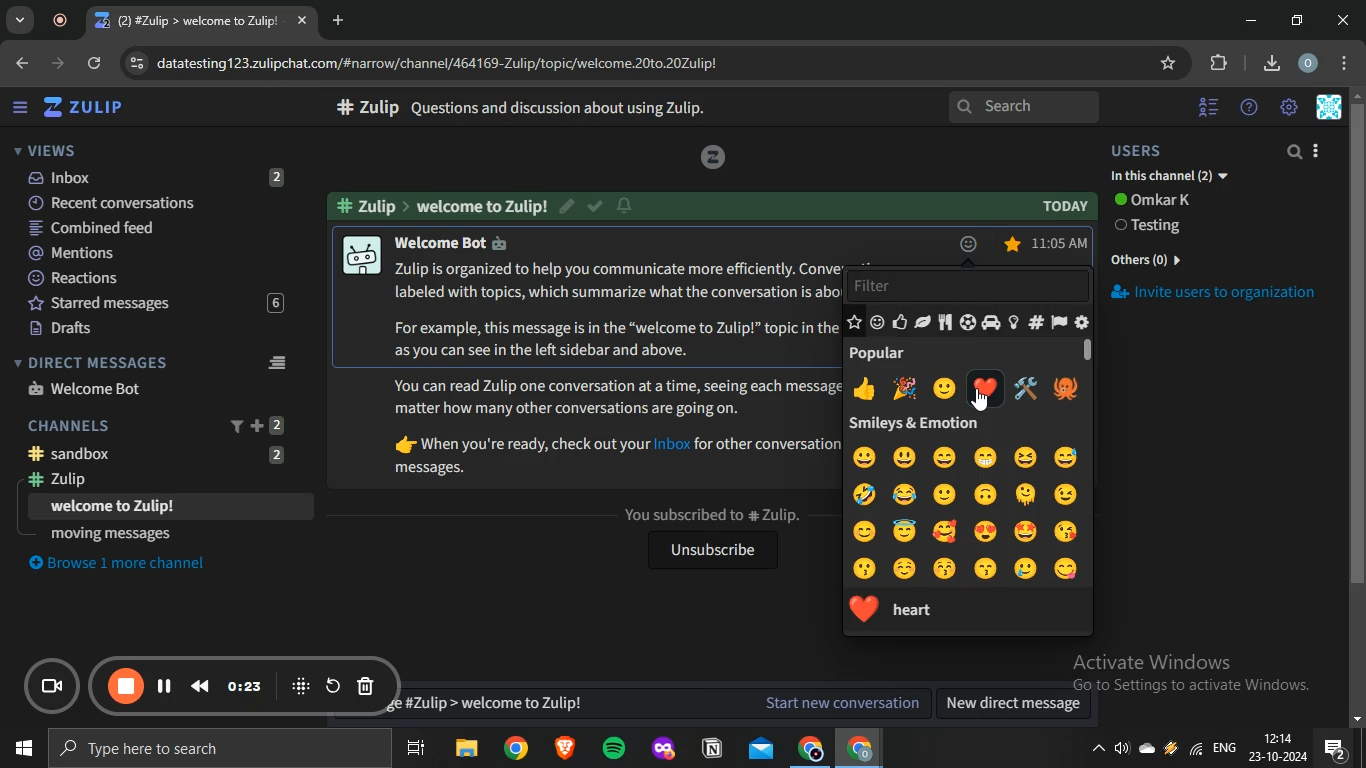 The height and width of the screenshot is (768, 1366). What do you see at coordinates (87, 388) in the screenshot?
I see `welcome bot` at bounding box center [87, 388].